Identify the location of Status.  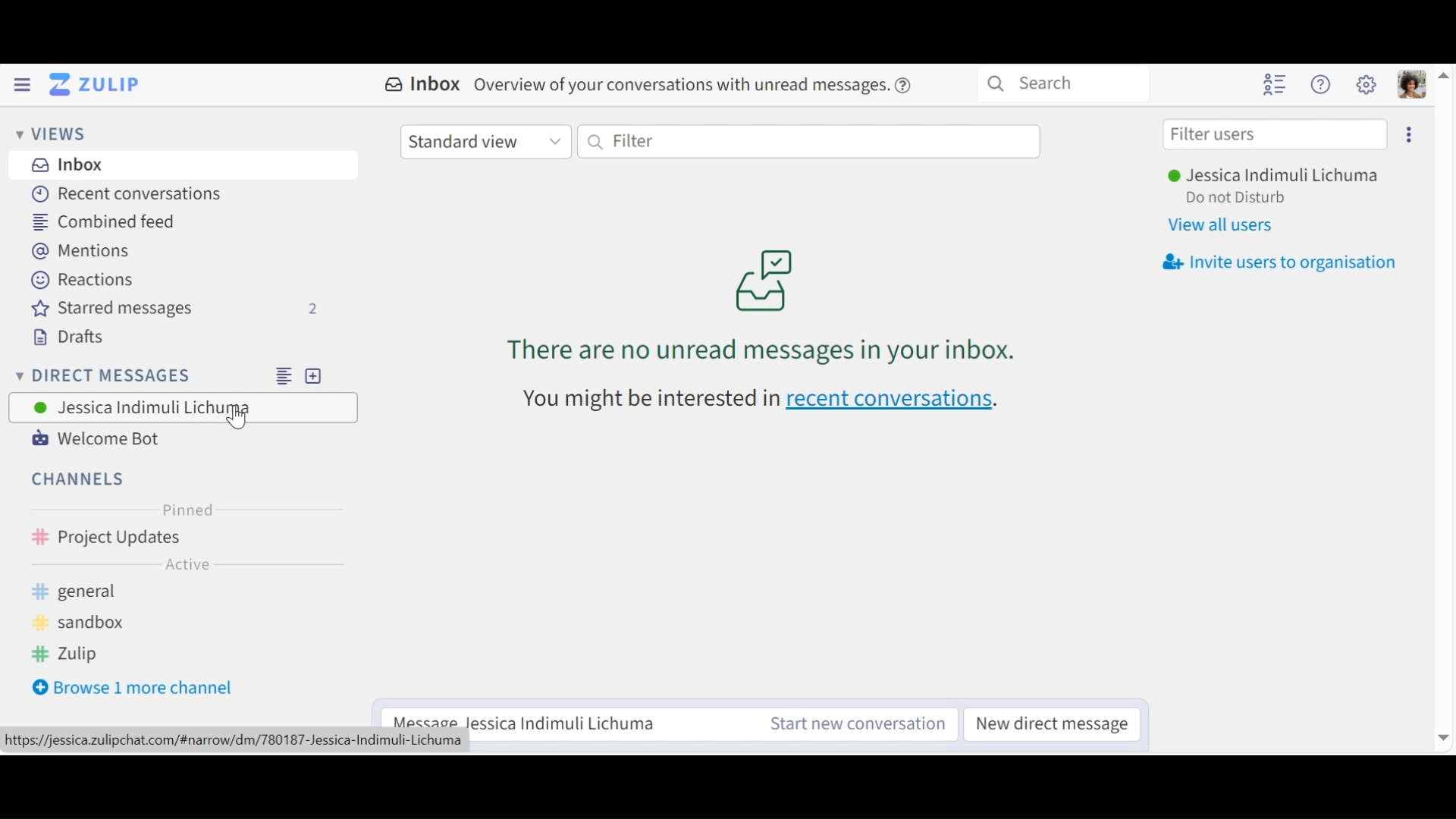
(1235, 198).